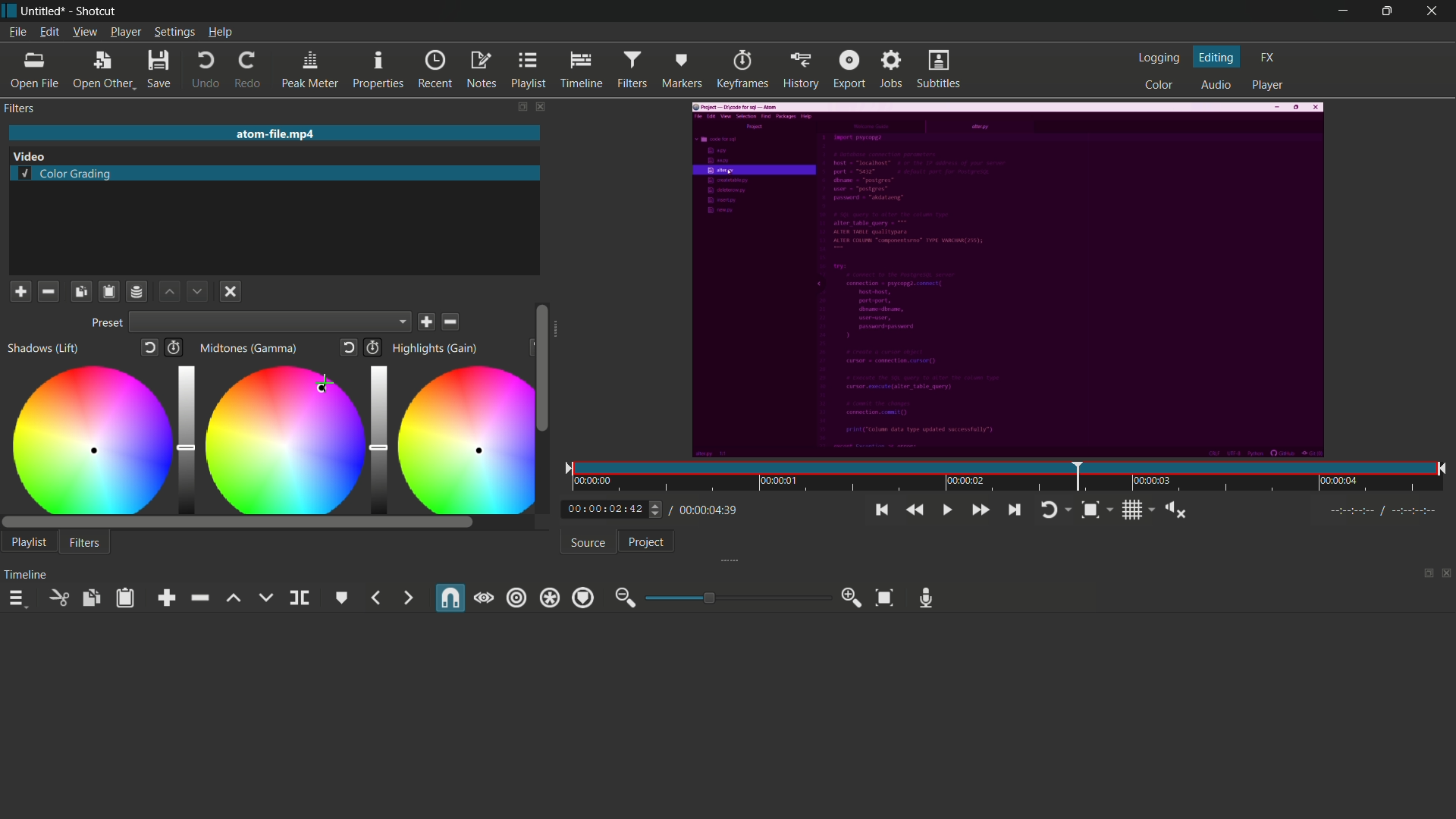 The image size is (1456, 819). Describe the element at coordinates (1160, 84) in the screenshot. I see `color` at that location.